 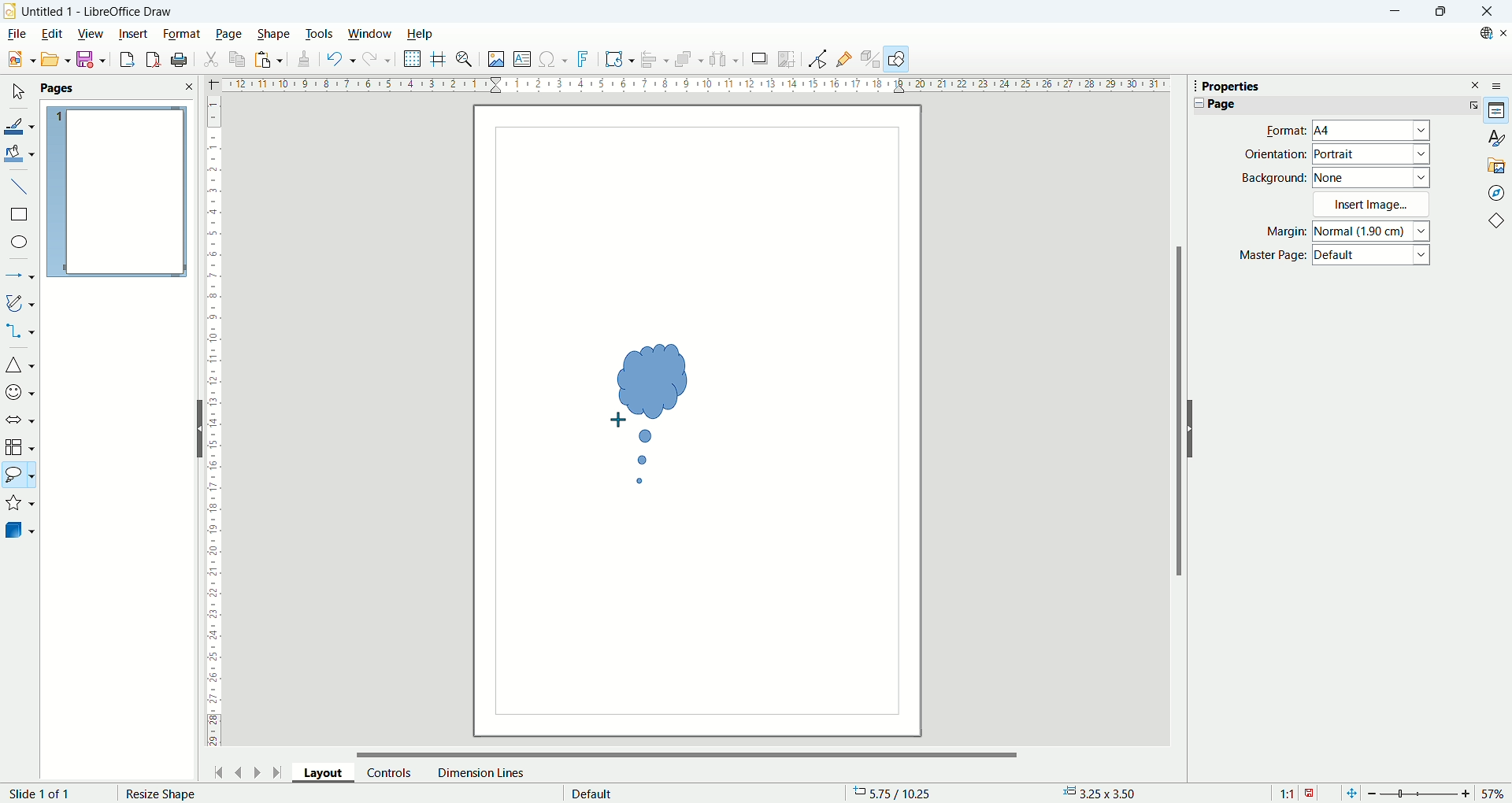 What do you see at coordinates (20, 418) in the screenshot?
I see `solid arrow` at bounding box center [20, 418].